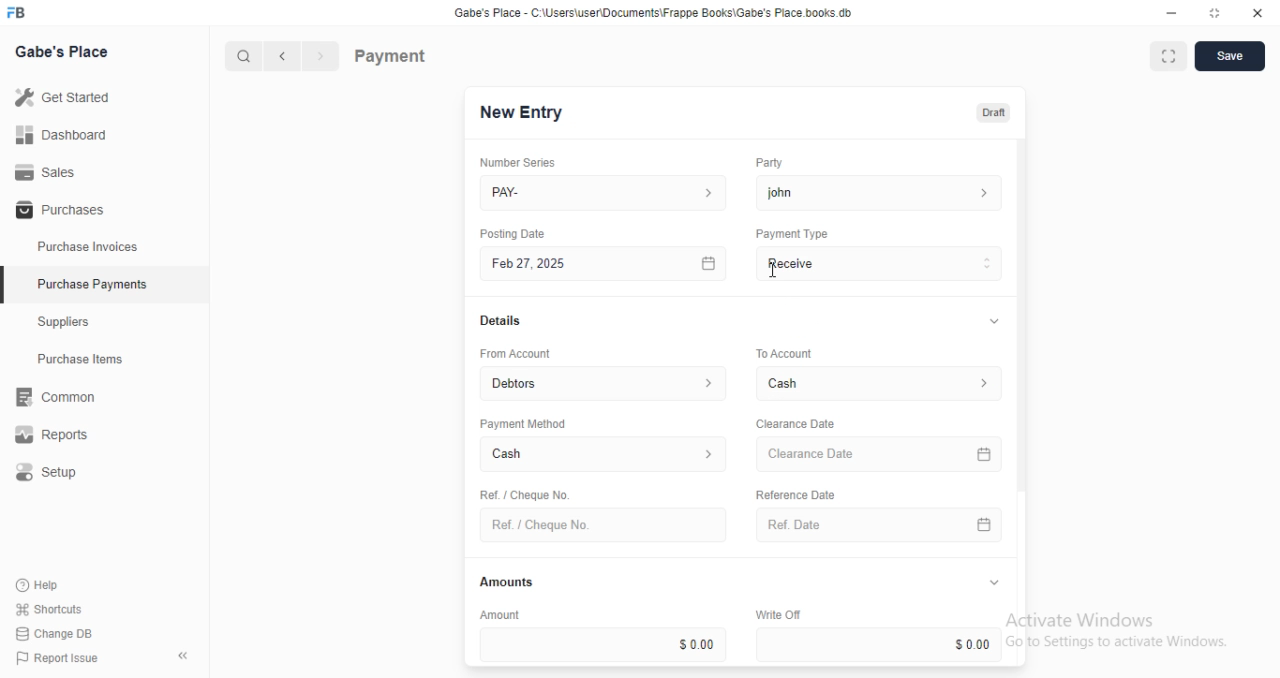 This screenshot has height=678, width=1280. I want to click on Amounts, so click(502, 582).